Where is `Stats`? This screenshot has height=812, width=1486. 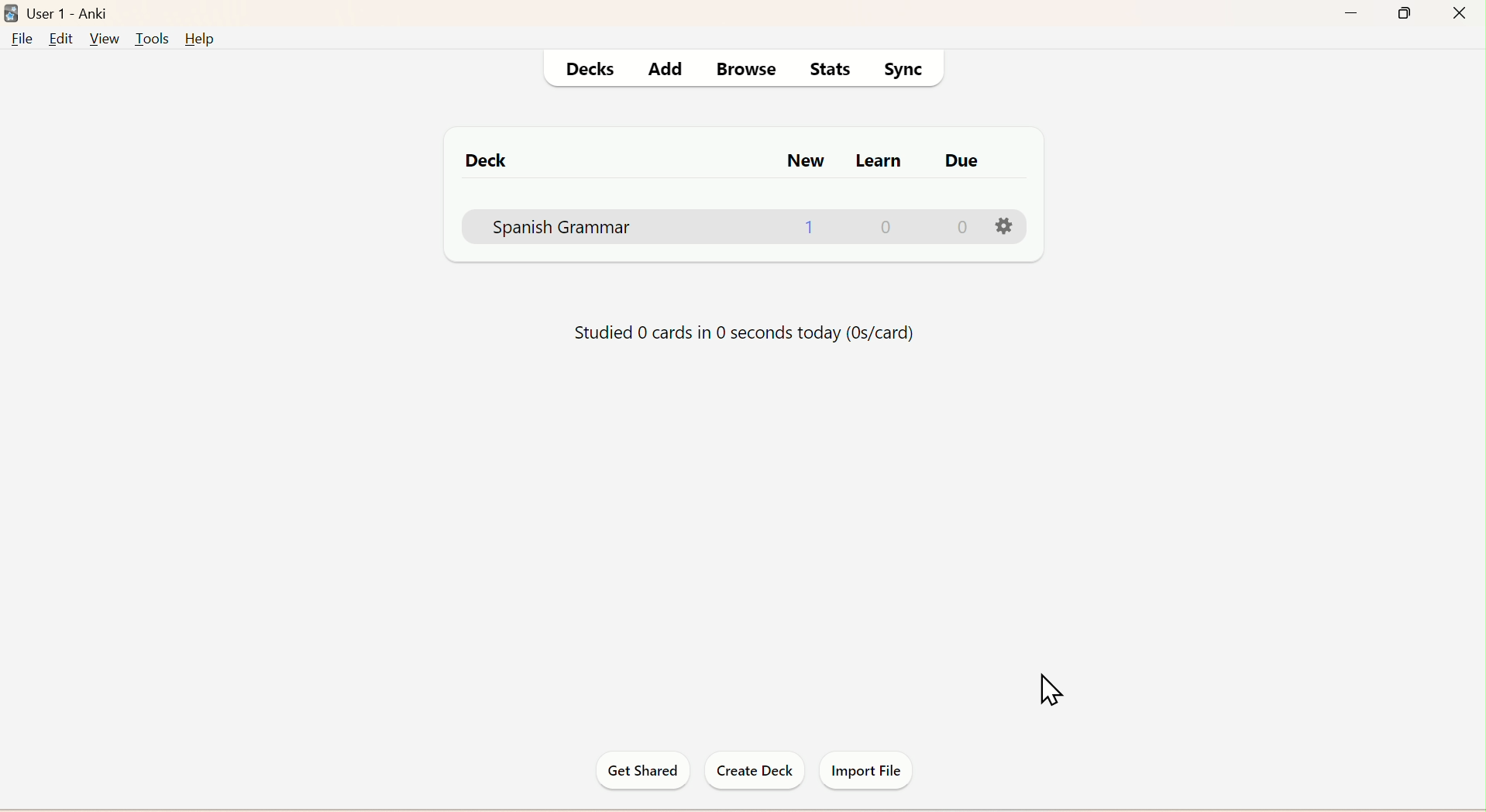
Stats is located at coordinates (831, 68).